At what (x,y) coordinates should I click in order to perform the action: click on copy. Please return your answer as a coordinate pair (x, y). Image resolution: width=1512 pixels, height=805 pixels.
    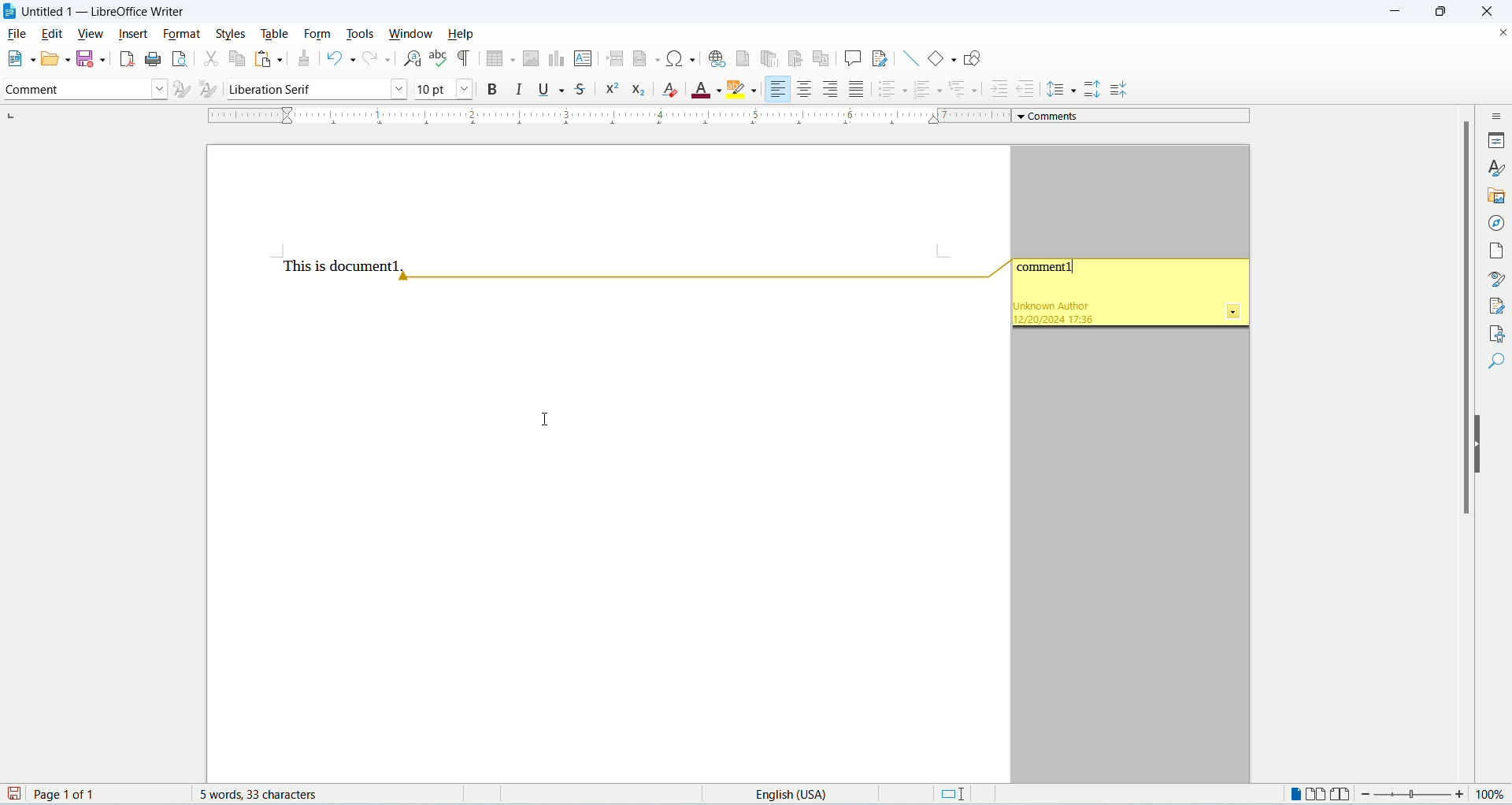
    Looking at the image, I should click on (236, 61).